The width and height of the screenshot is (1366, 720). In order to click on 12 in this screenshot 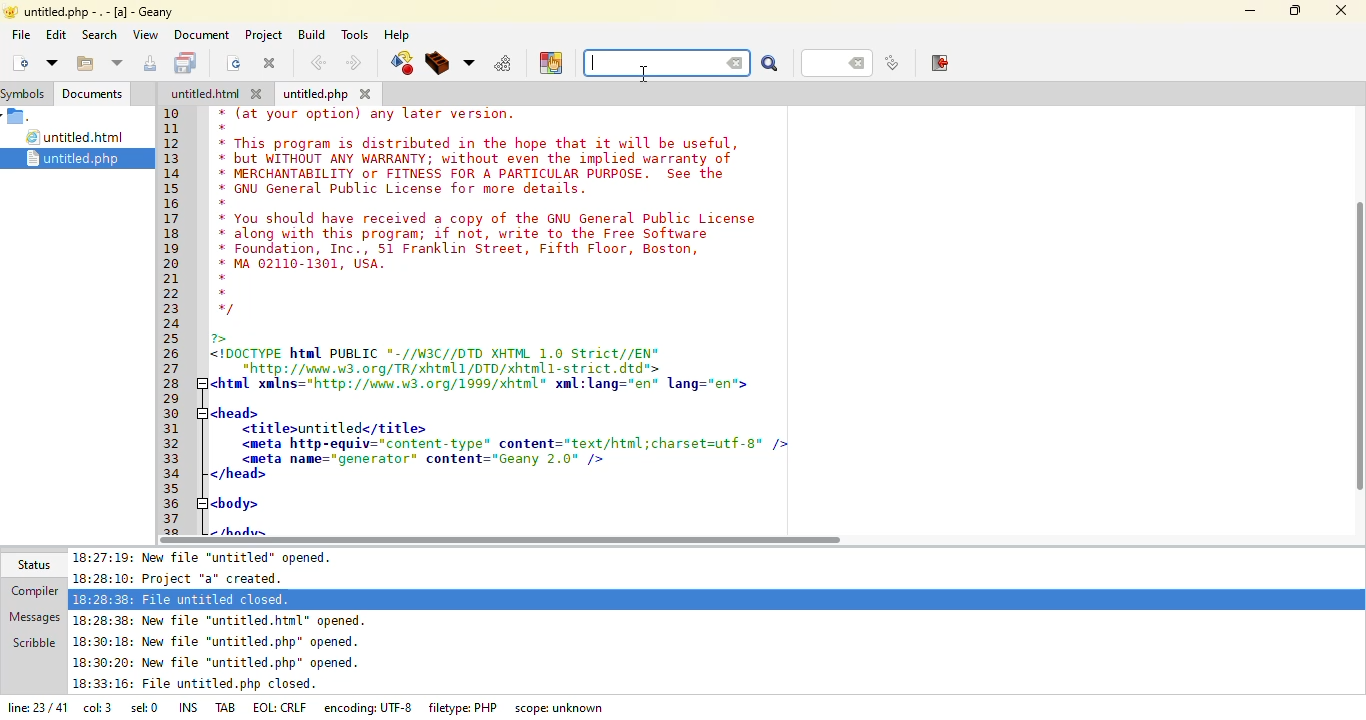, I will do `click(171, 143)`.